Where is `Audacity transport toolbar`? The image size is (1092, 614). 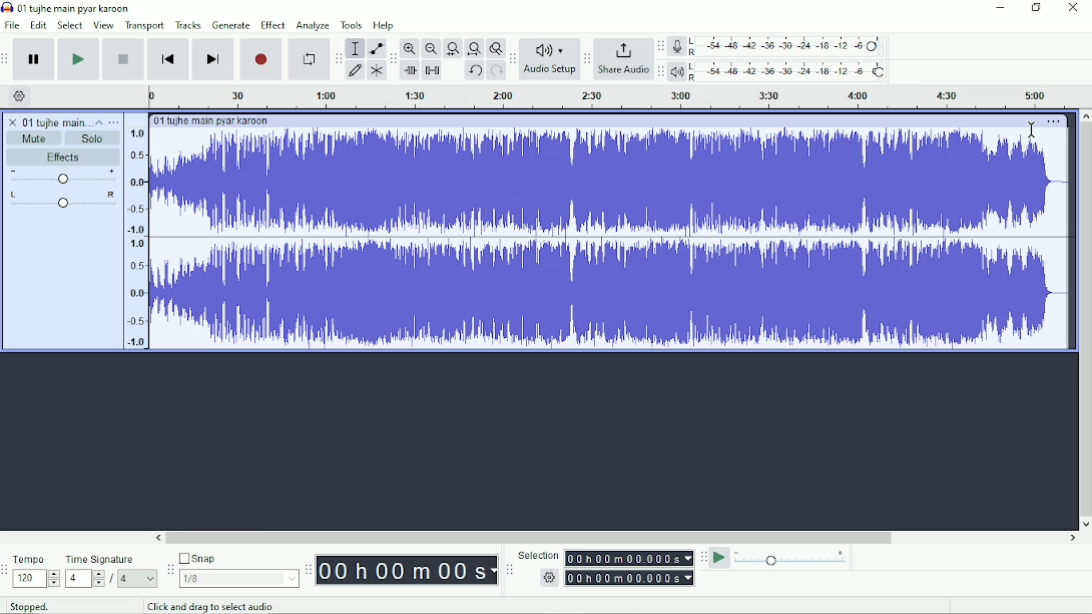
Audacity transport toolbar is located at coordinates (7, 59).